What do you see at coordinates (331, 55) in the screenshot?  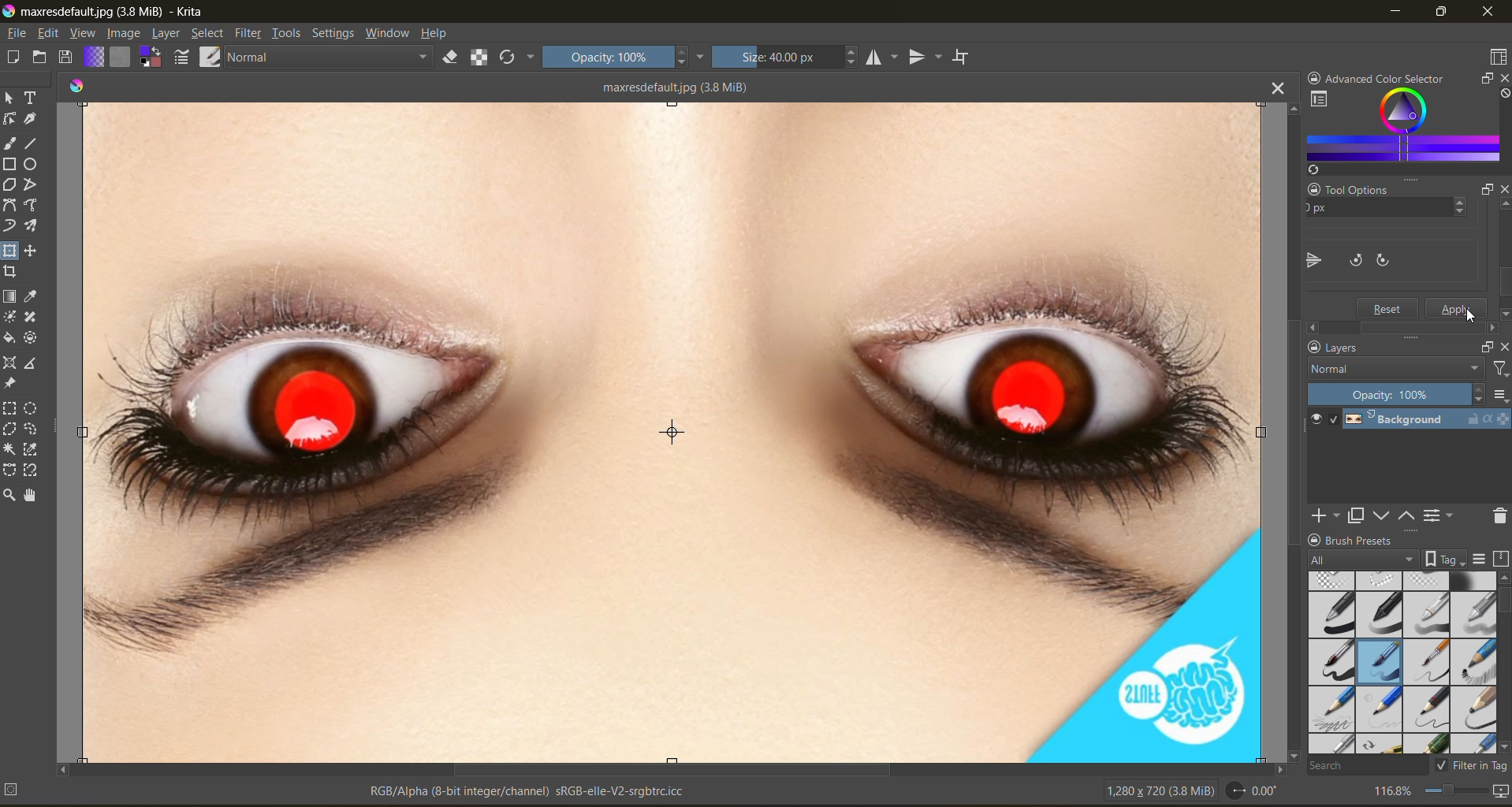 I see `normal` at bounding box center [331, 55].